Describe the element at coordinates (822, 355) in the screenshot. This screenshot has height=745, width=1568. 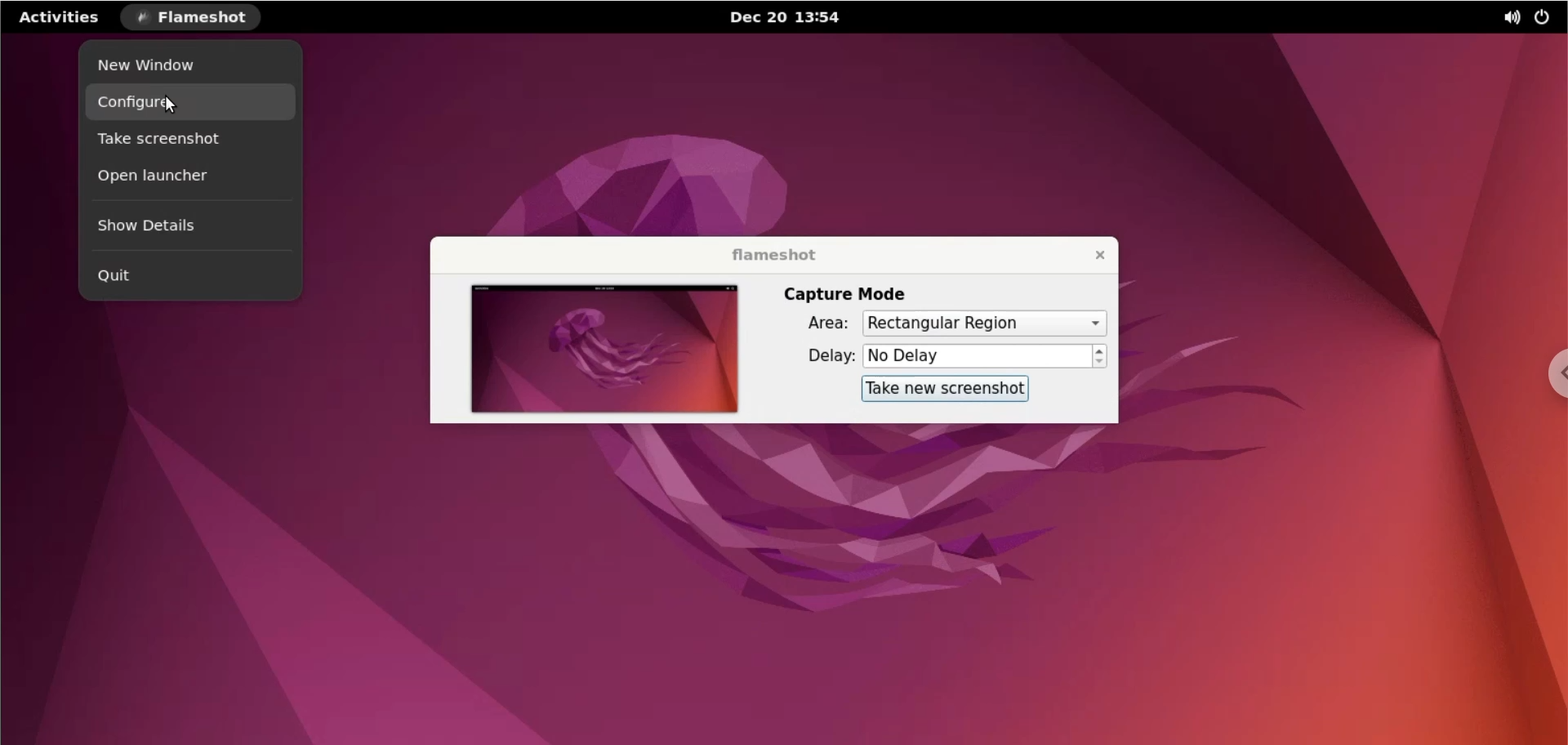
I see `delay:` at that location.